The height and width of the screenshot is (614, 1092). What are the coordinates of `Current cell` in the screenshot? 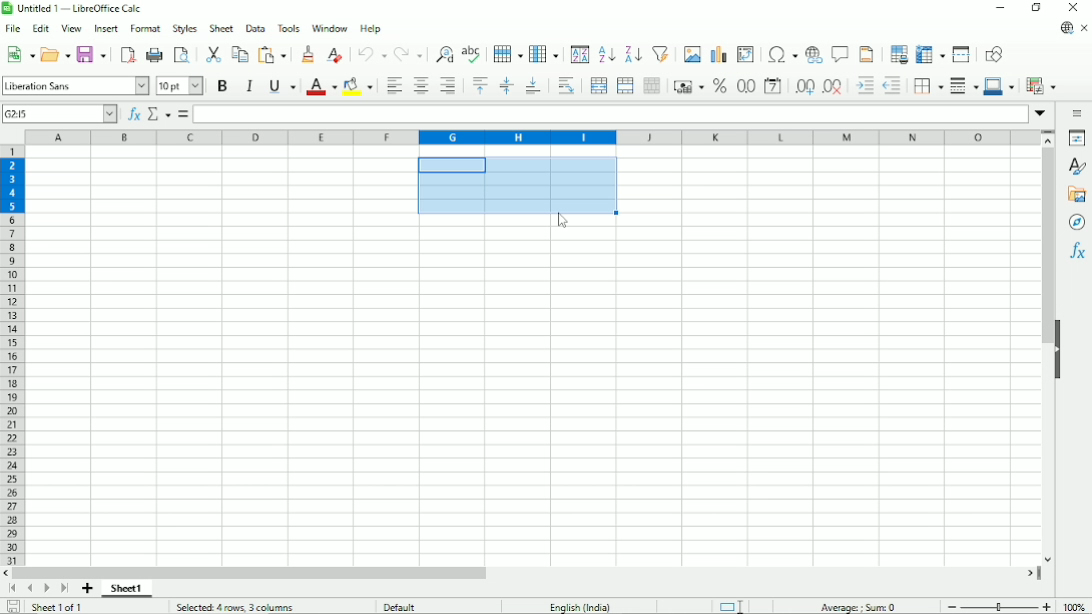 It's located at (59, 113).